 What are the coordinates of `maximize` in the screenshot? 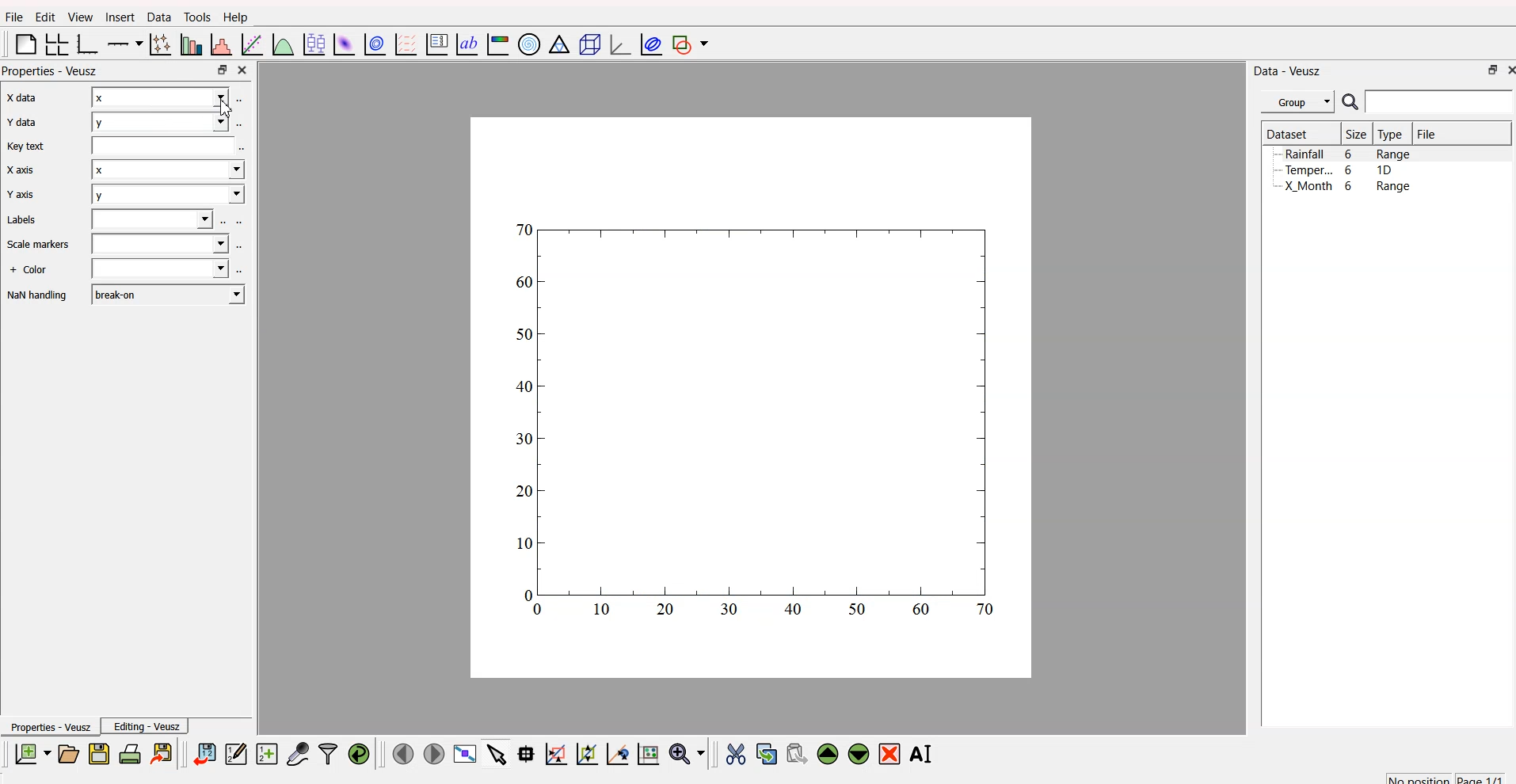 It's located at (1488, 72).